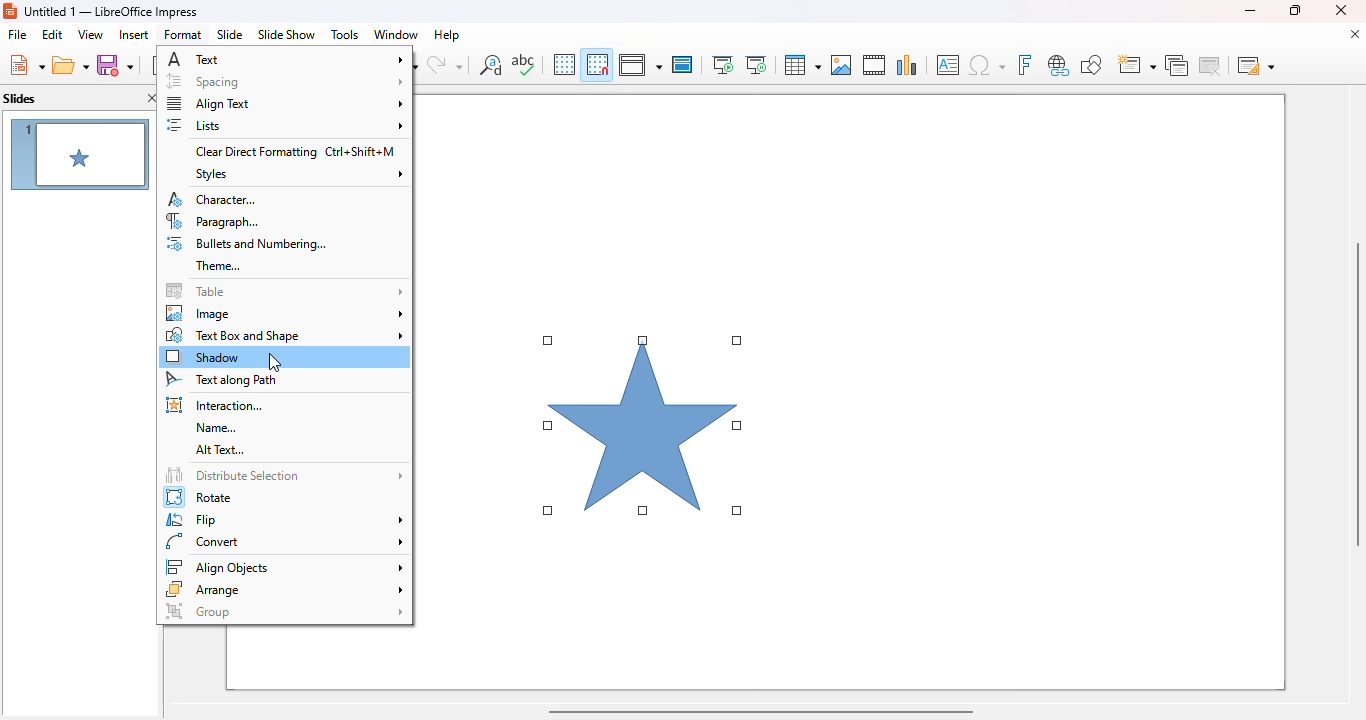  What do you see at coordinates (79, 154) in the screenshot?
I see `shape in slides preview` at bounding box center [79, 154].